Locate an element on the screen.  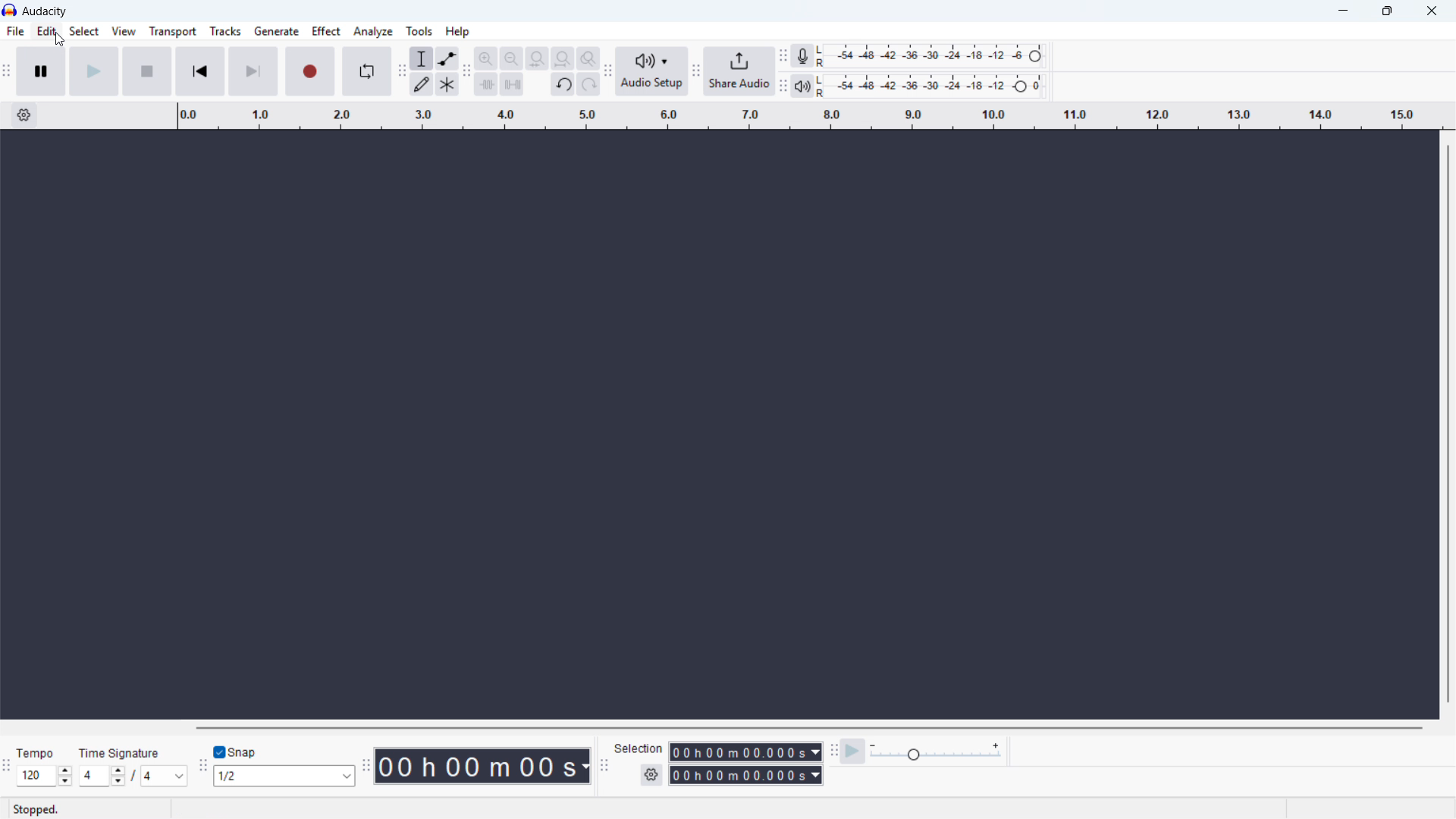
edit is located at coordinates (48, 32).